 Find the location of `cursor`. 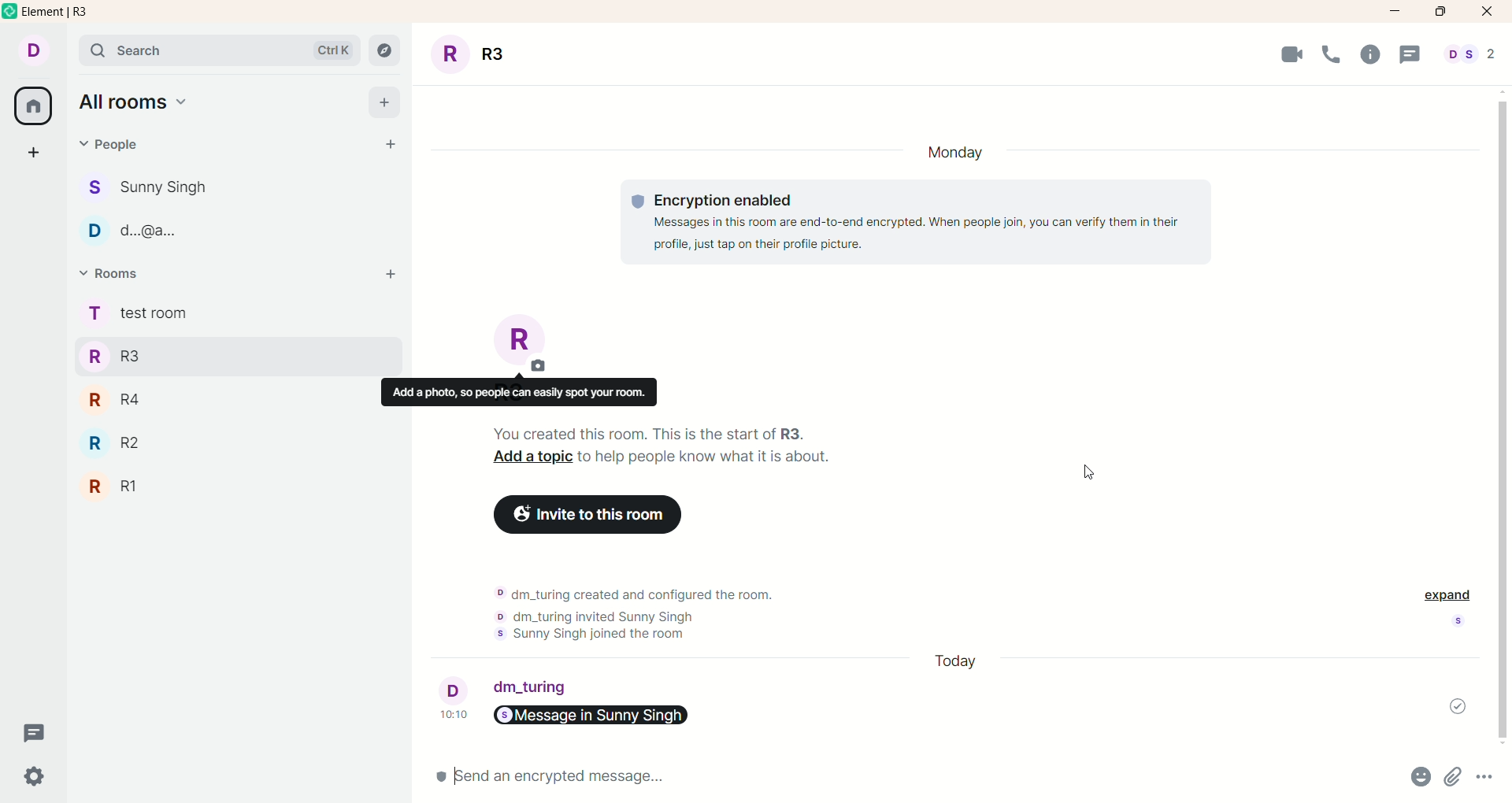

cursor is located at coordinates (1091, 472).